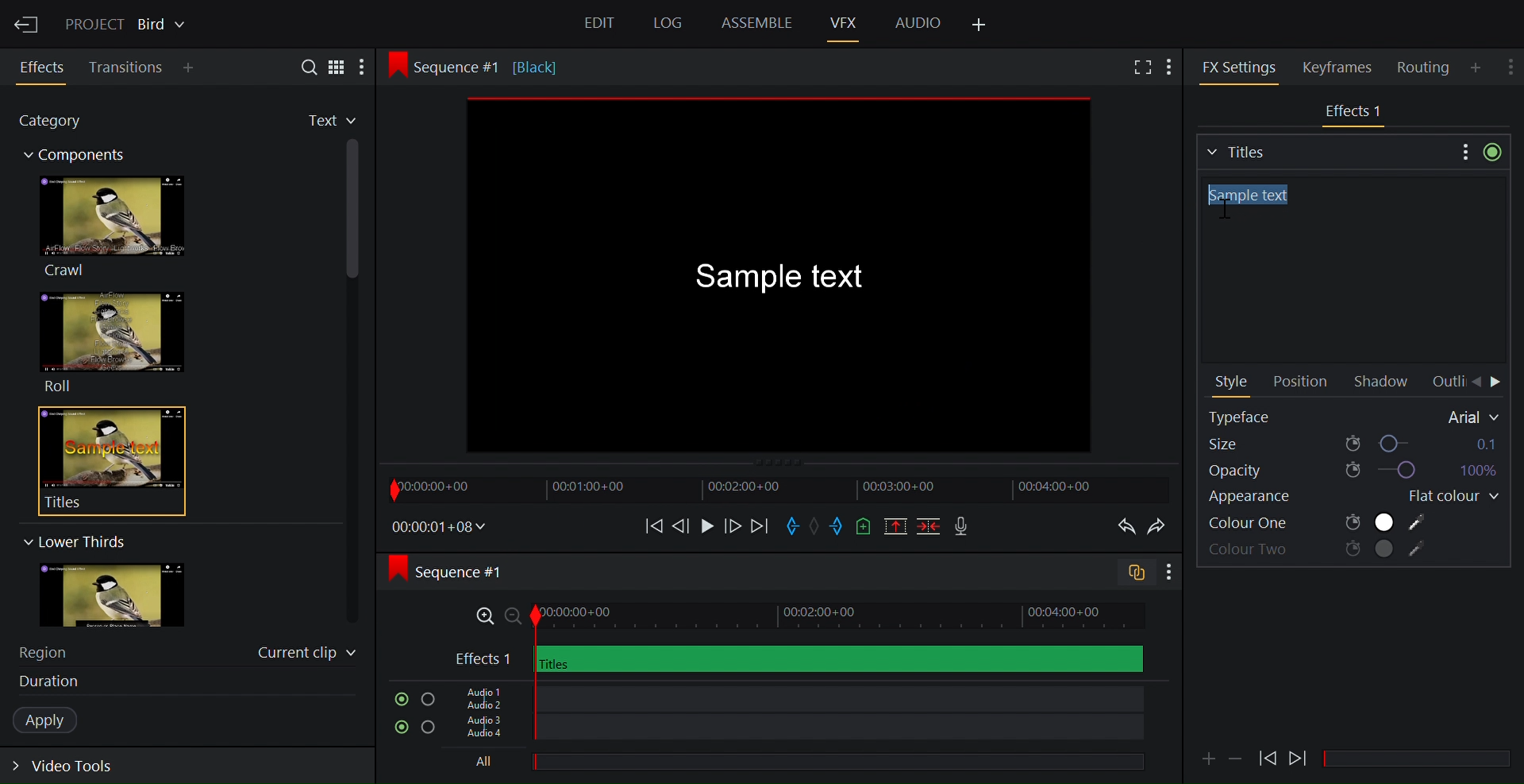 The width and height of the screenshot is (1524, 784). Describe the element at coordinates (52, 651) in the screenshot. I see `Region` at that location.